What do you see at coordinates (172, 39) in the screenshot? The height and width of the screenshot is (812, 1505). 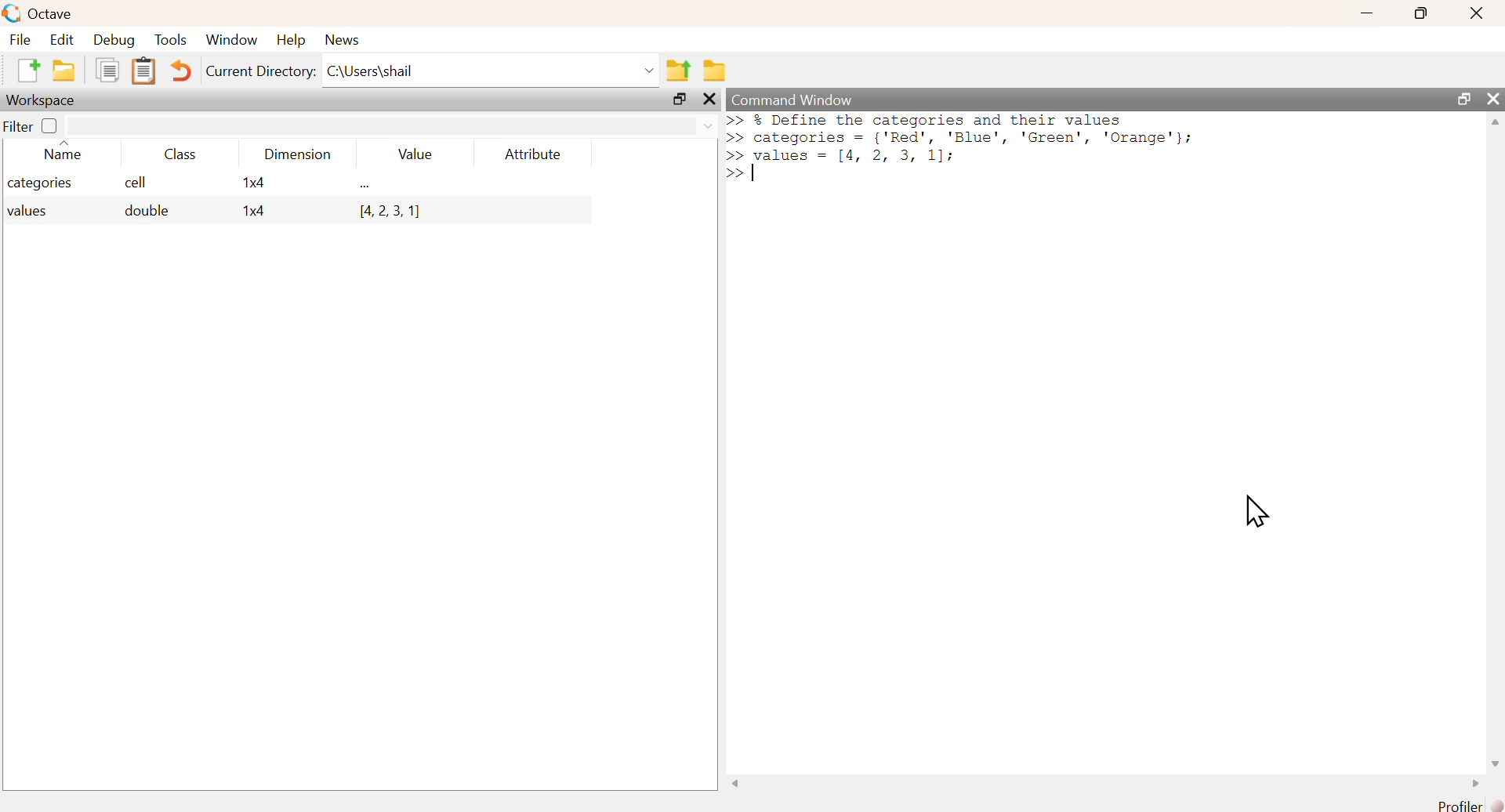 I see `Tools` at bounding box center [172, 39].